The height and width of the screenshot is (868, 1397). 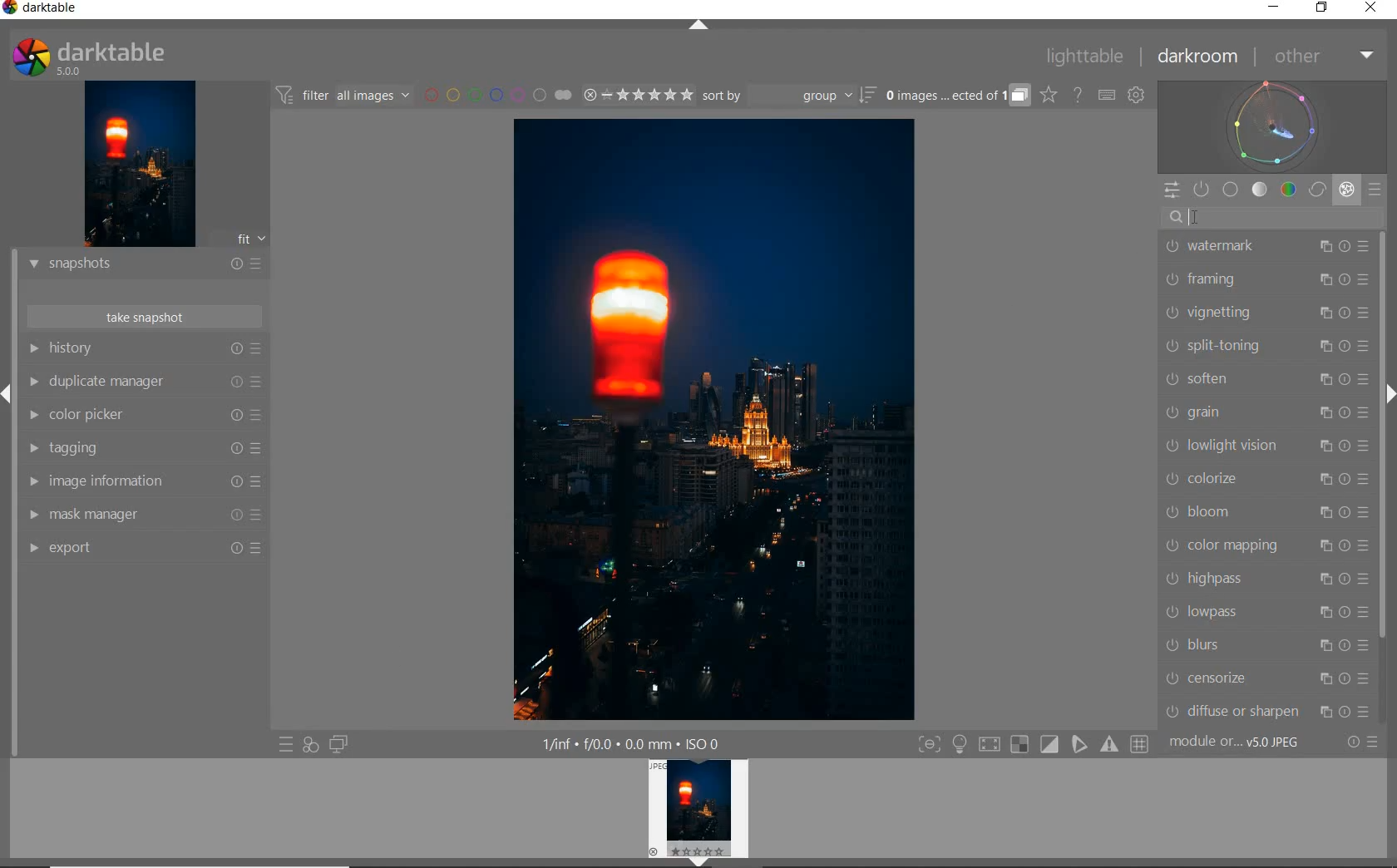 What do you see at coordinates (1107, 95) in the screenshot?
I see `SET KEYBOARD SHORTCUTS` at bounding box center [1107, 95].